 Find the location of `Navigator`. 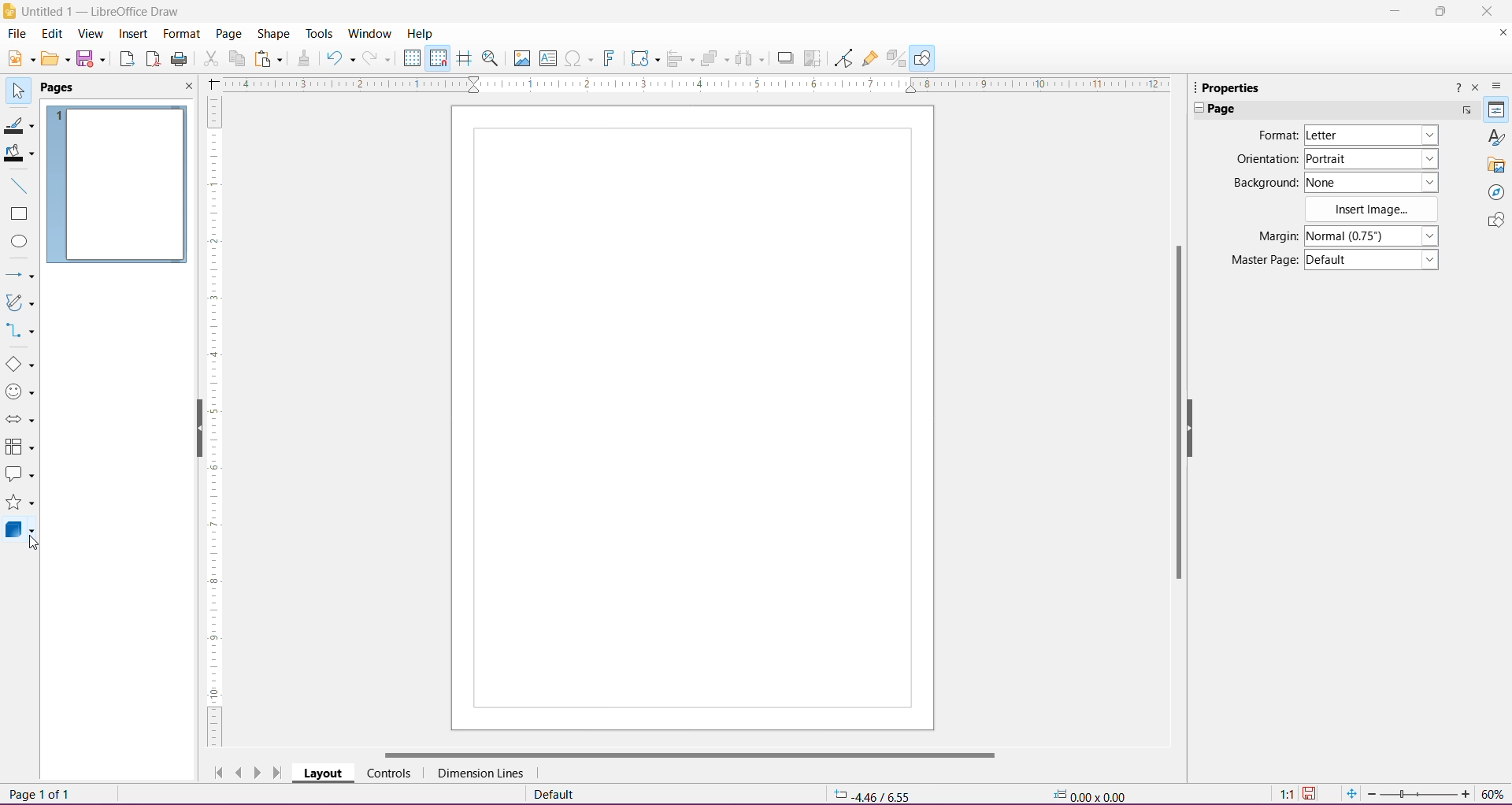

Navigator is located at coordinates (1495, 192).